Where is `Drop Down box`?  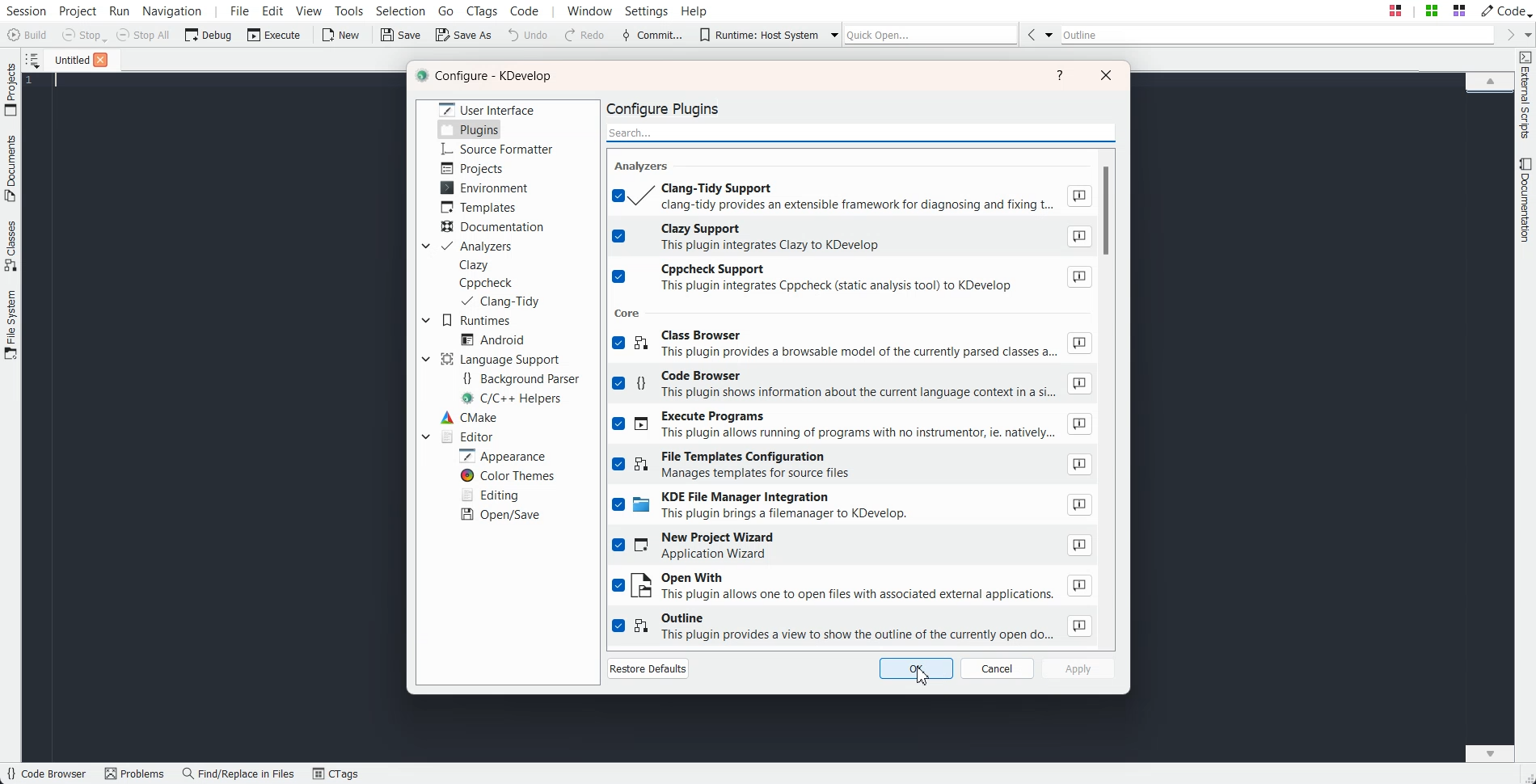 Drop Down box is located at coordinates (1049, 34).